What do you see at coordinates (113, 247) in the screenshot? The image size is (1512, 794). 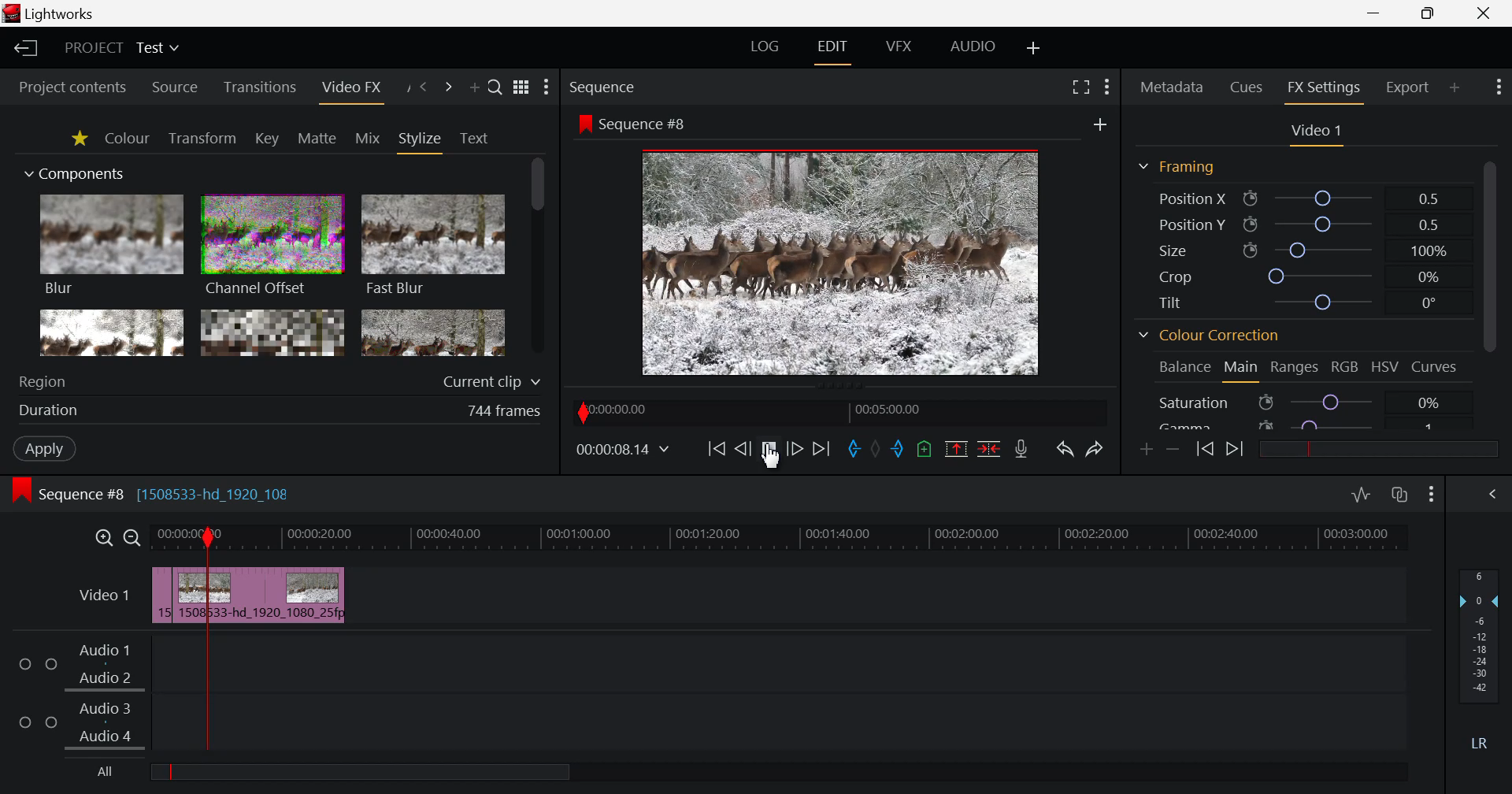 I see `Blur` at bounding box center [113, 247].